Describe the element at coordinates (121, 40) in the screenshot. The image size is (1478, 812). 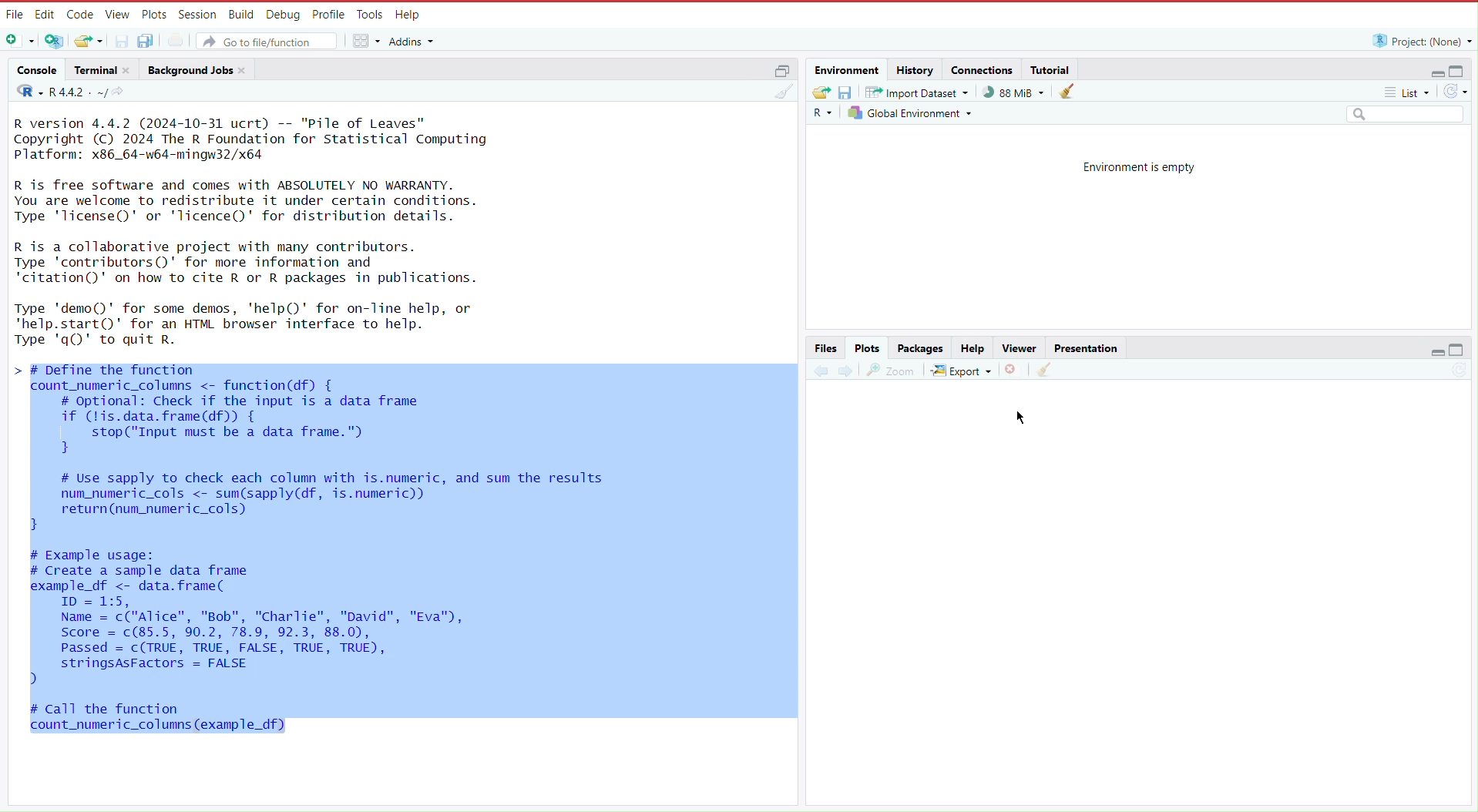
I see `Save current document (Ctrl + S)` at that location.